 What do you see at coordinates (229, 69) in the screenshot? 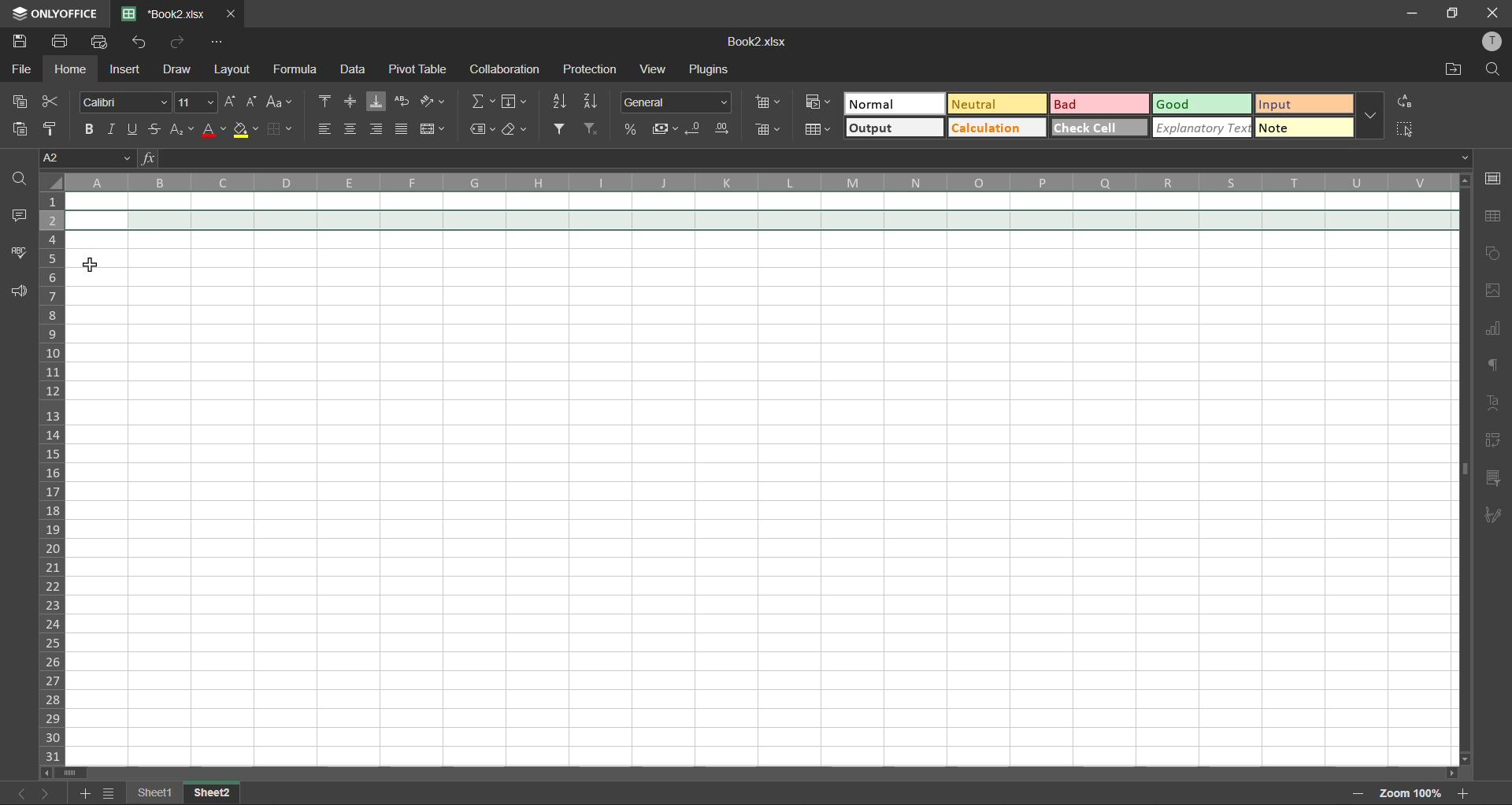
I see `layout` at bounding box center [229, 69].